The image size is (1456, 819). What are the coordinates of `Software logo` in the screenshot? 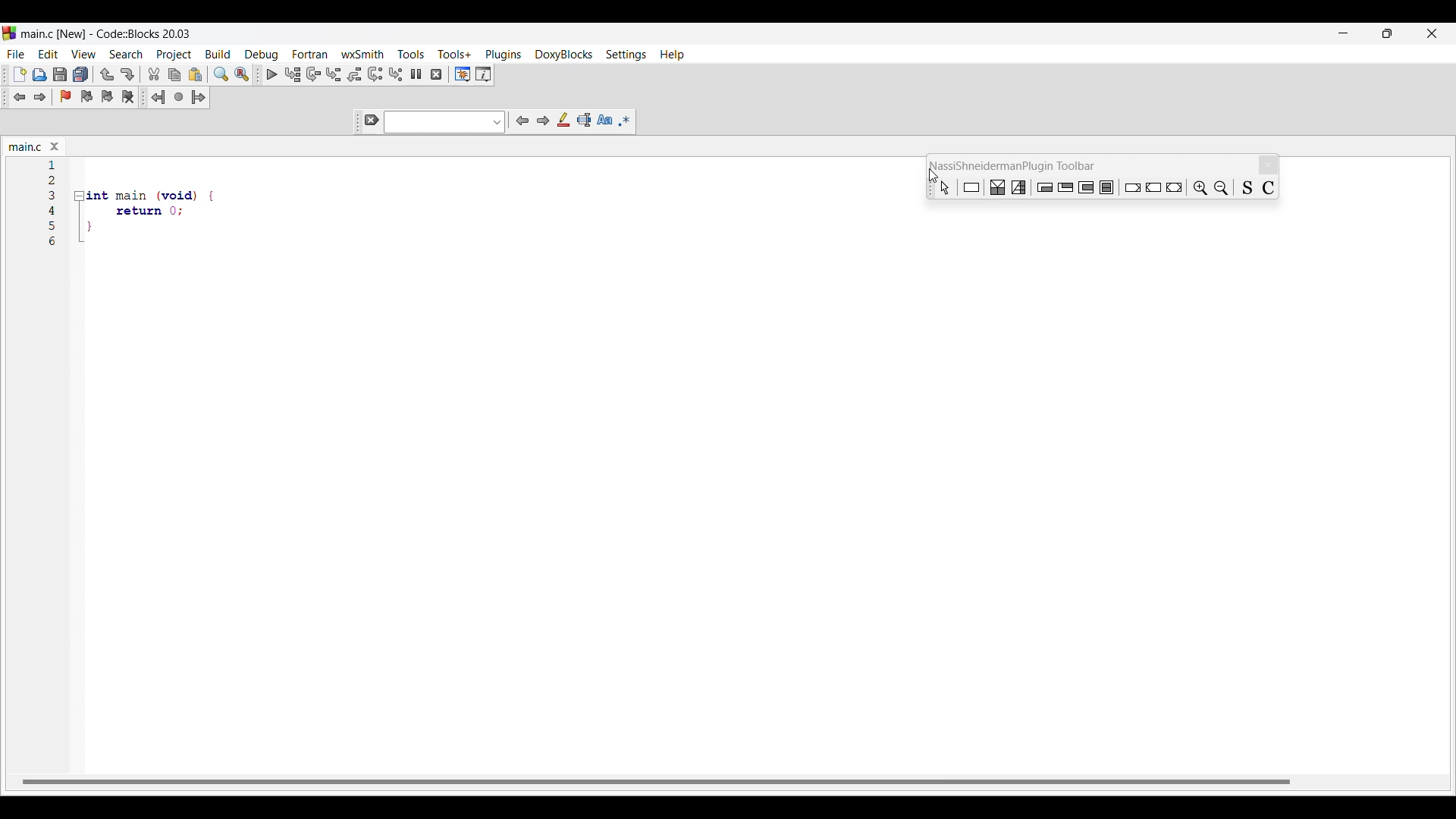 It's located at (9, 33).